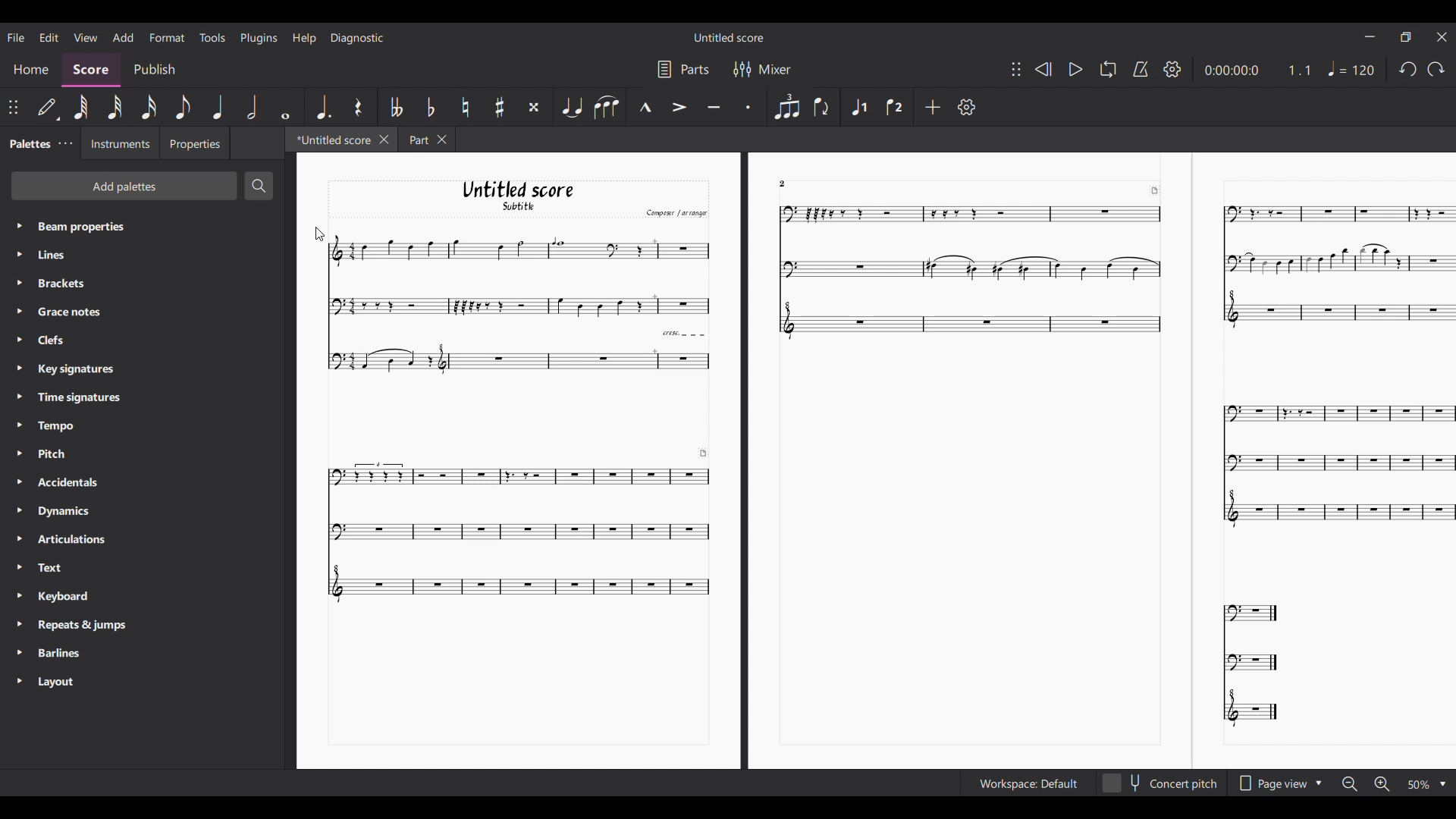 The image size is (1456, 819). I want to click on , so click(1338, 307).